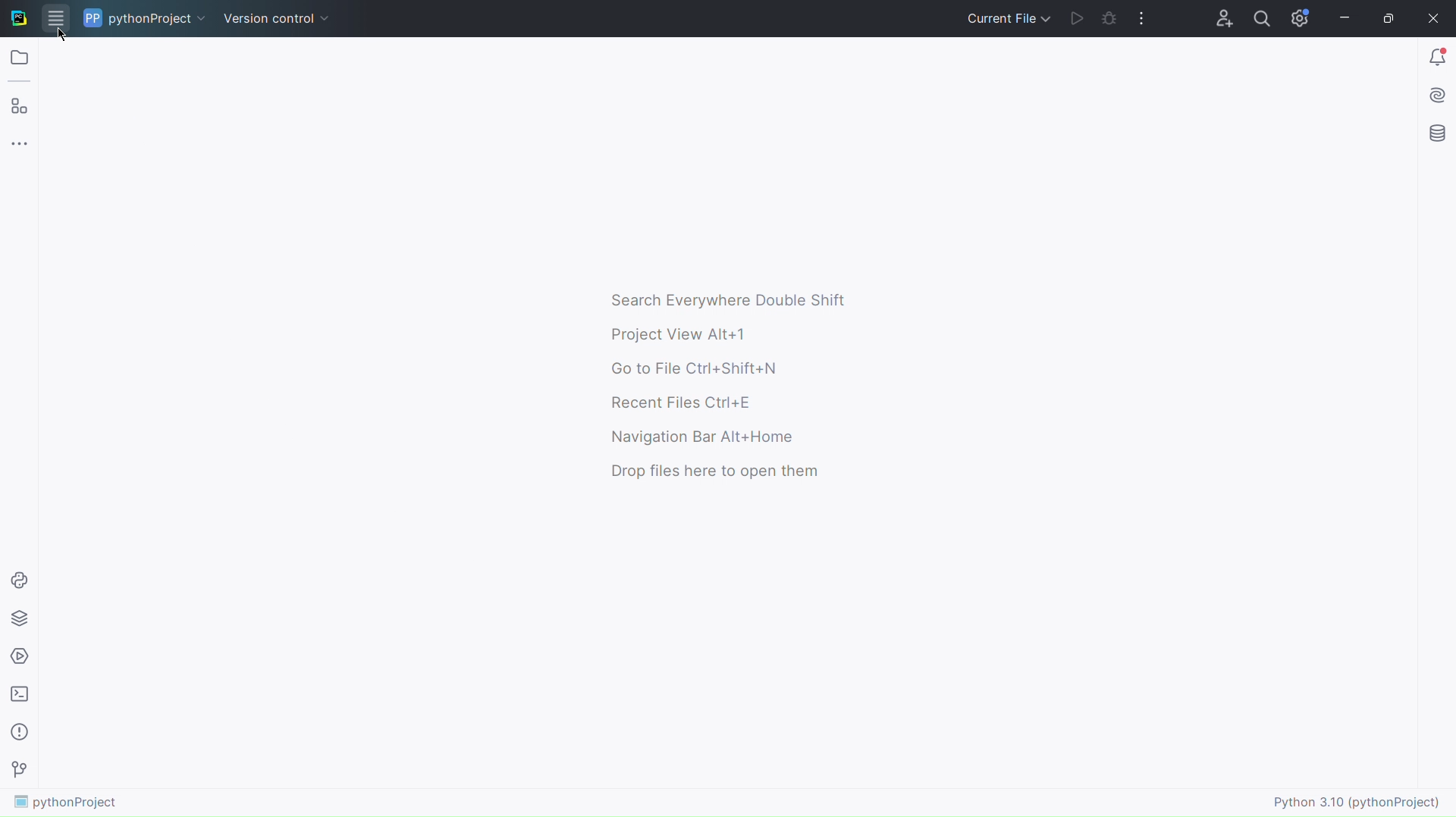 Image resolution: width=1456 pixels, height=817 pixels. I want to click on Notifications, so click(1435, 56).